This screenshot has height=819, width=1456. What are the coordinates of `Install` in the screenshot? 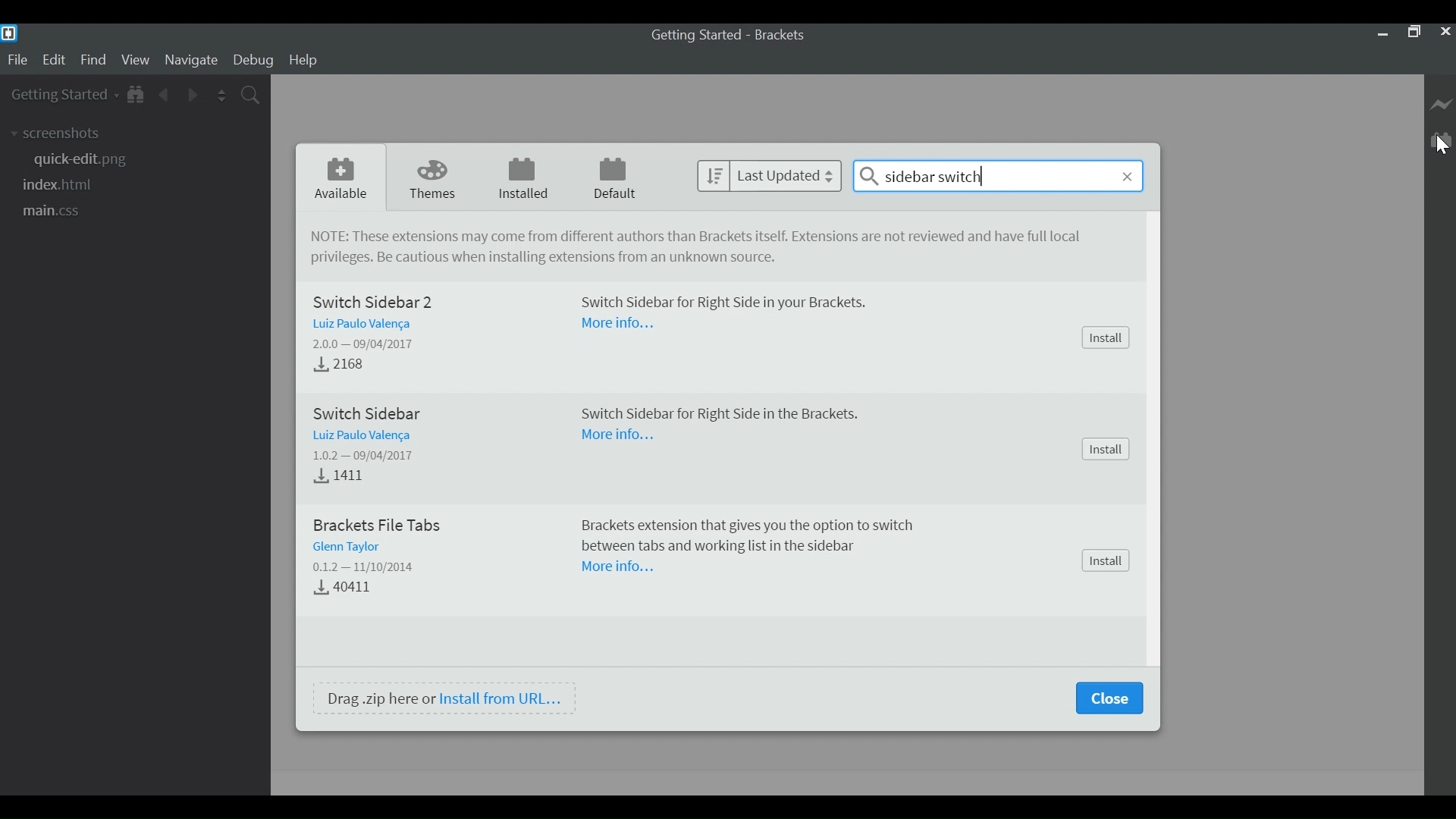 It's located at (1106, 337).